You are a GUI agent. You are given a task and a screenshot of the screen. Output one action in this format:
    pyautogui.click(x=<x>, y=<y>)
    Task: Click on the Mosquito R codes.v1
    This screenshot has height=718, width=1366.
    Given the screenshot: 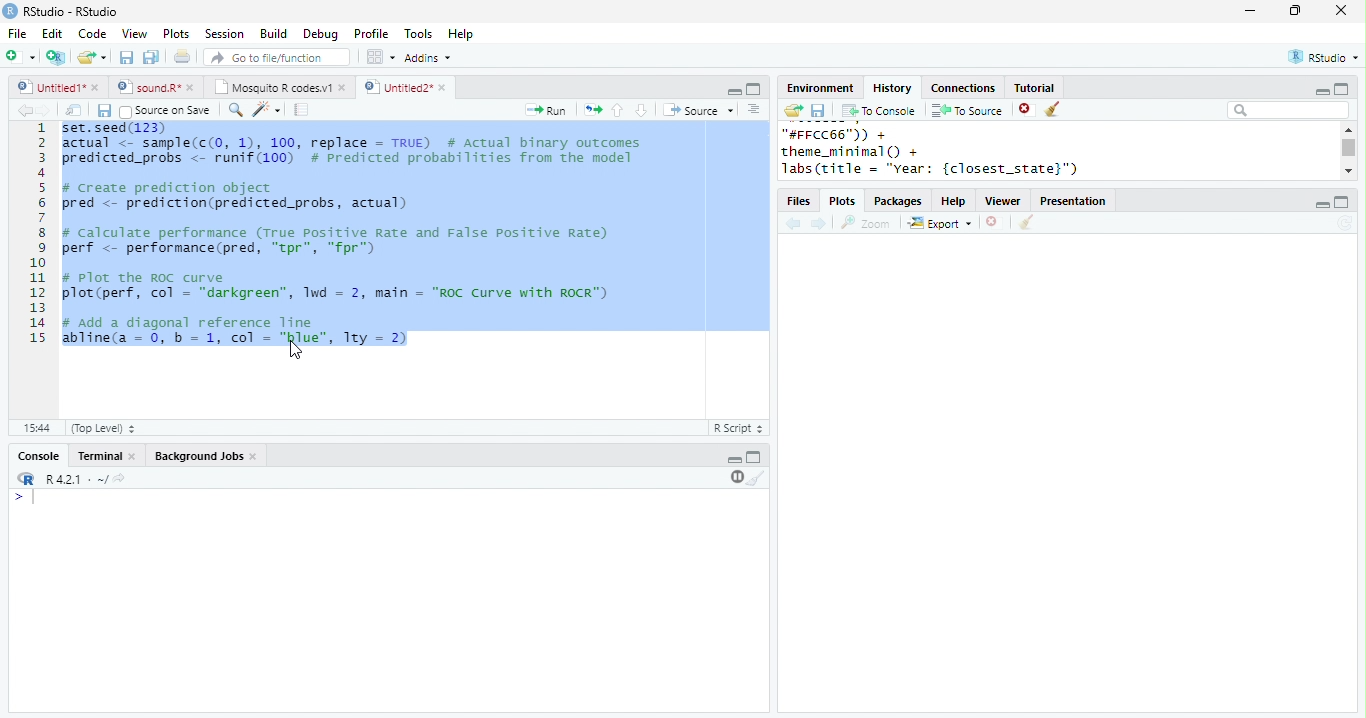 What is the action you would take?
    pyautogui.click(x=273, y=87)
    